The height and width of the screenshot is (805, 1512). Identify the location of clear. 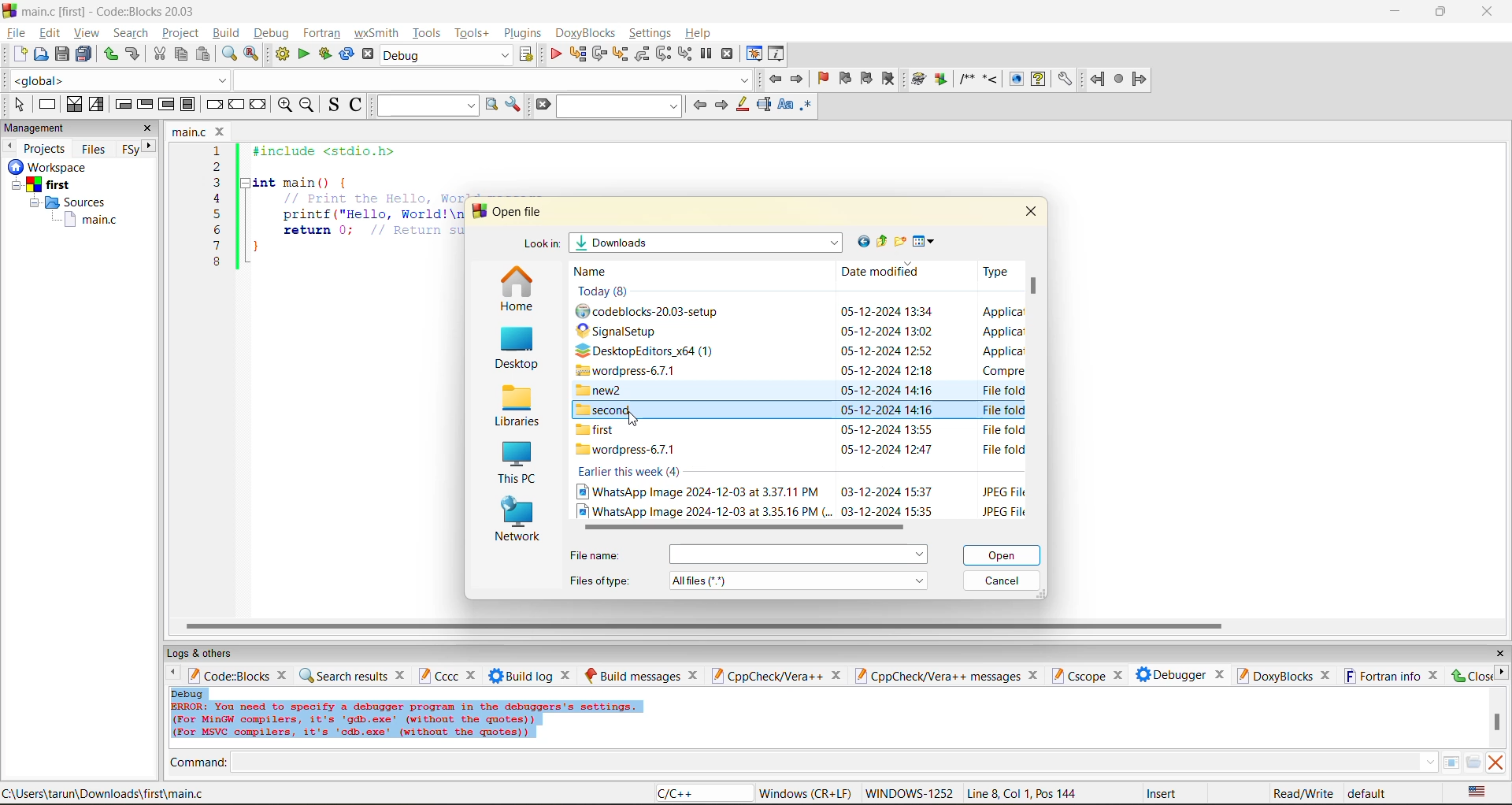
(542, 105).